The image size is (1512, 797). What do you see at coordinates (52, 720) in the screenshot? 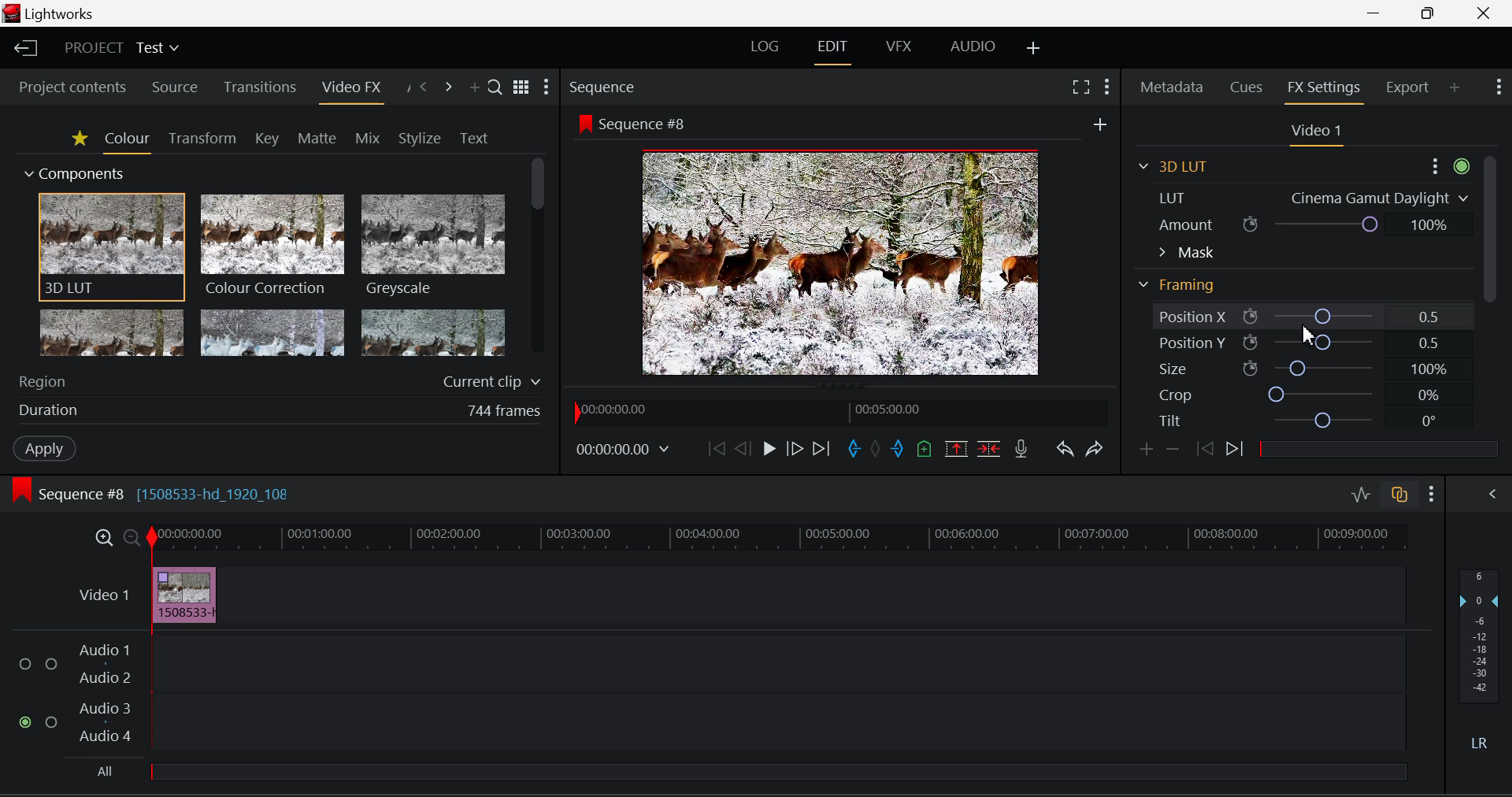
I see `Audio Input Checkbox` at bounding box center [52, 720].